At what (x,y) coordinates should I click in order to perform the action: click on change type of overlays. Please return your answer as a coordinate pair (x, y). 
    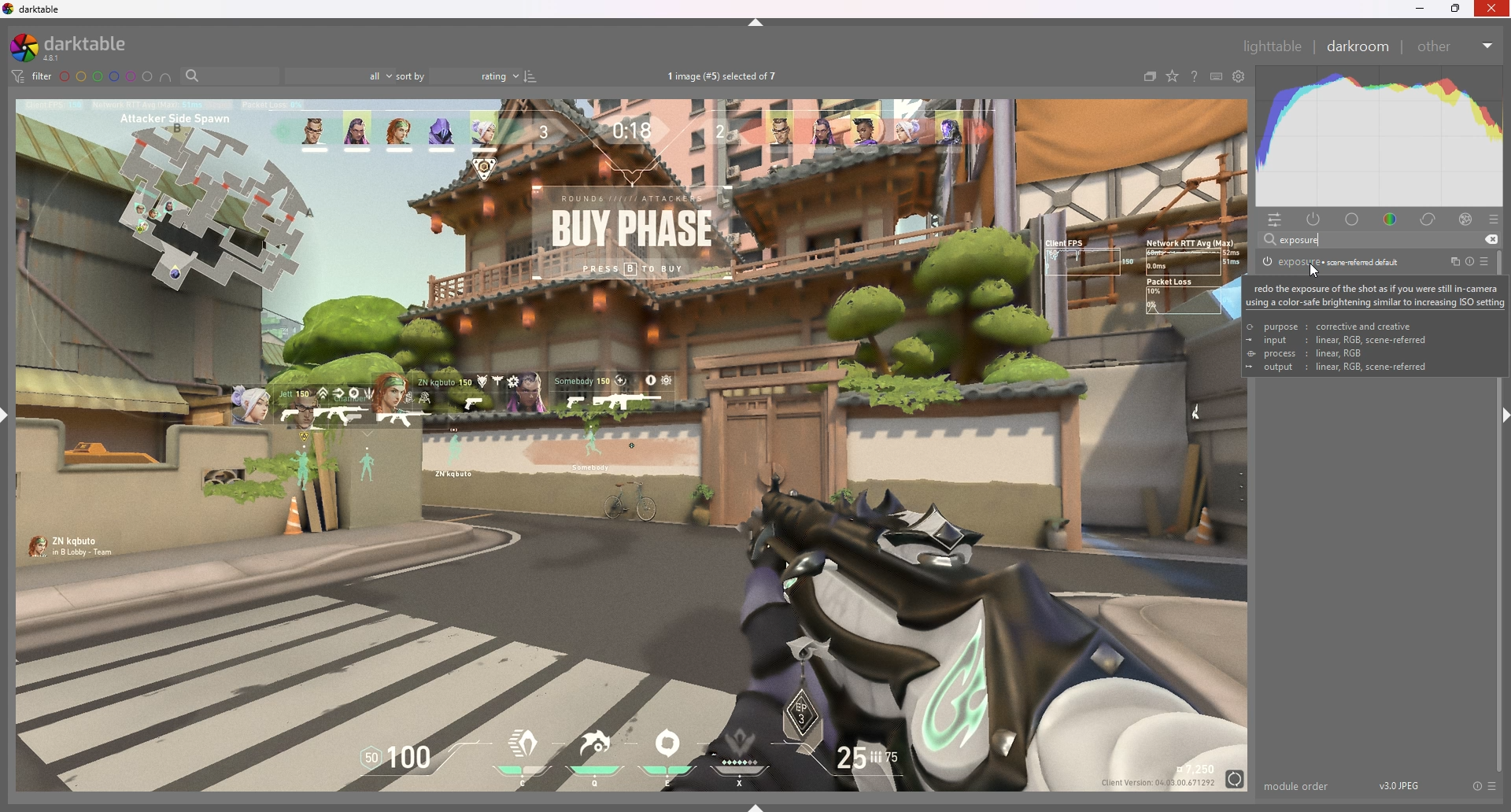
    Looking at the image, I should click on (1173, 76).